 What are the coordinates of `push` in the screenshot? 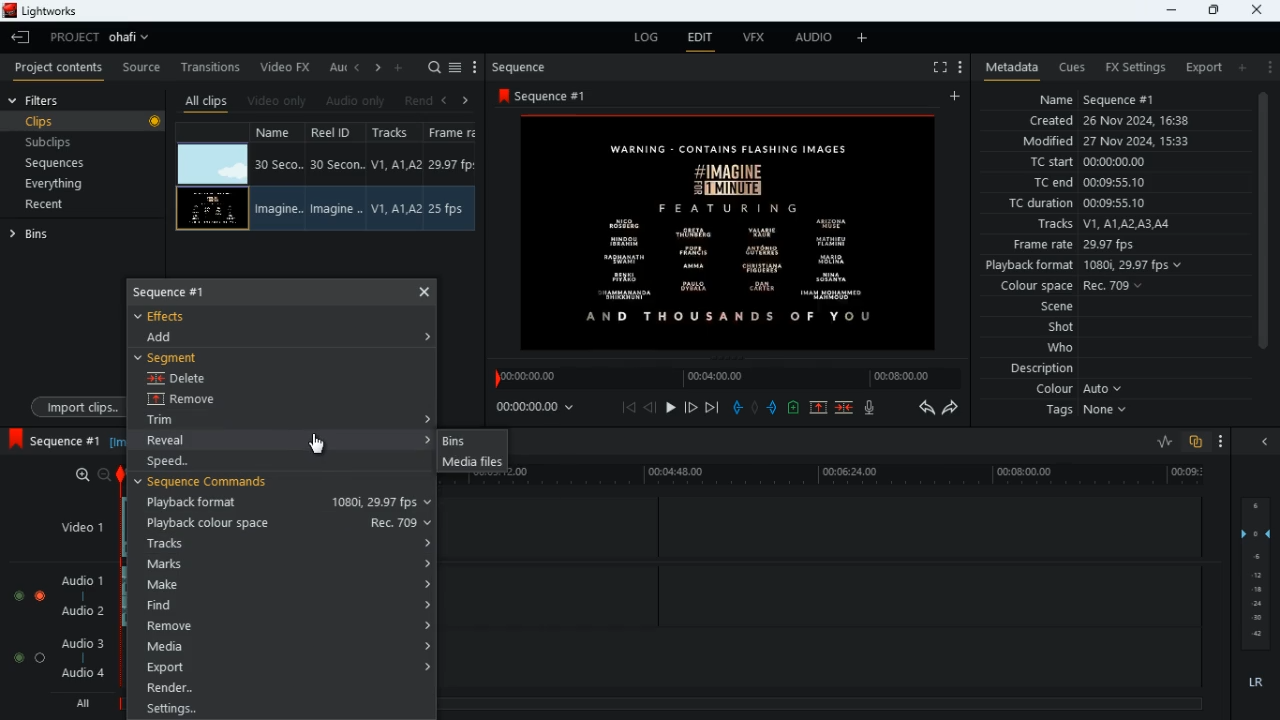 It's located at (773, 409).